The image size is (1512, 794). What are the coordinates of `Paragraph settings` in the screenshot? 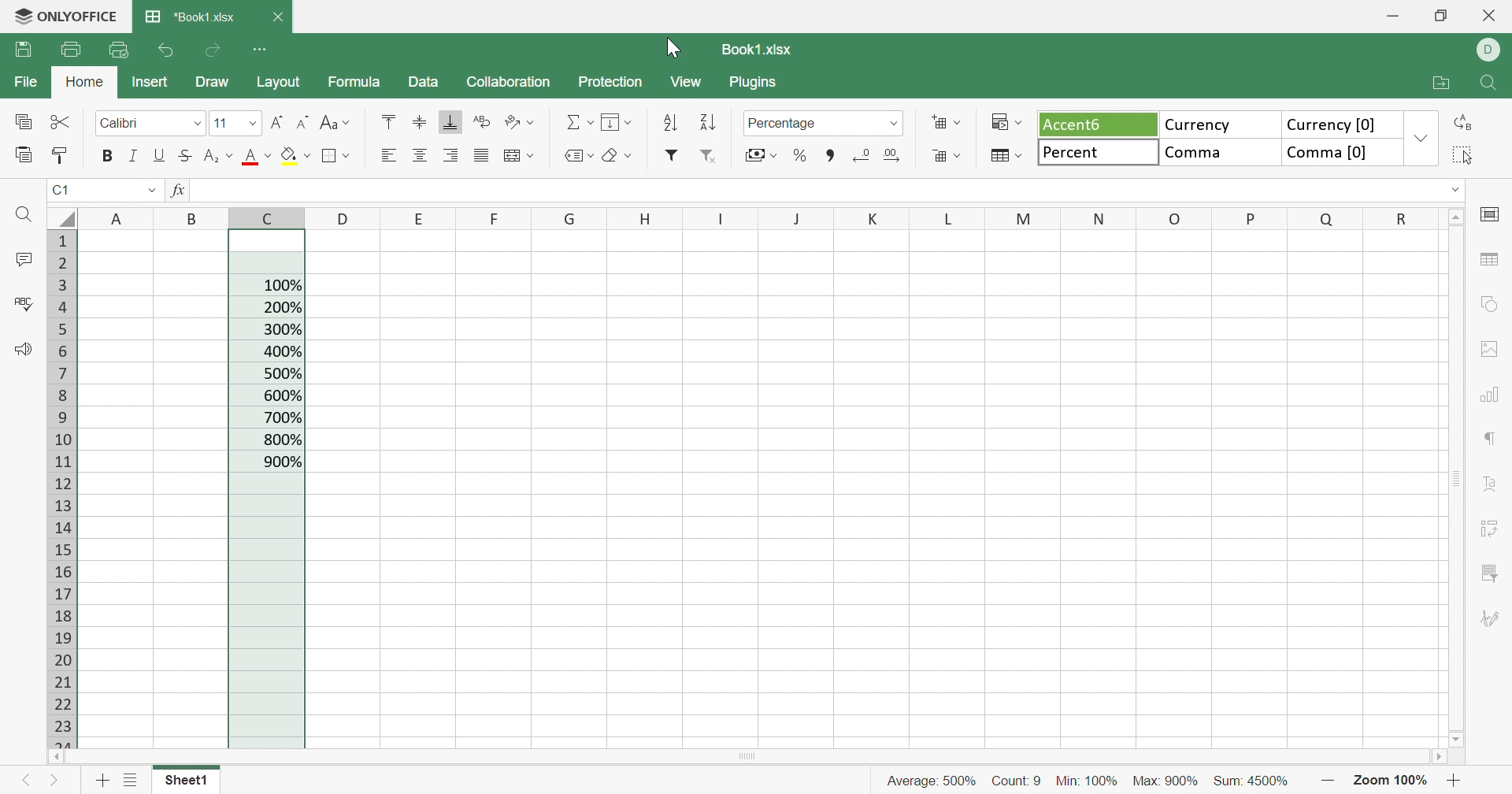 It's located at (1492, 440).